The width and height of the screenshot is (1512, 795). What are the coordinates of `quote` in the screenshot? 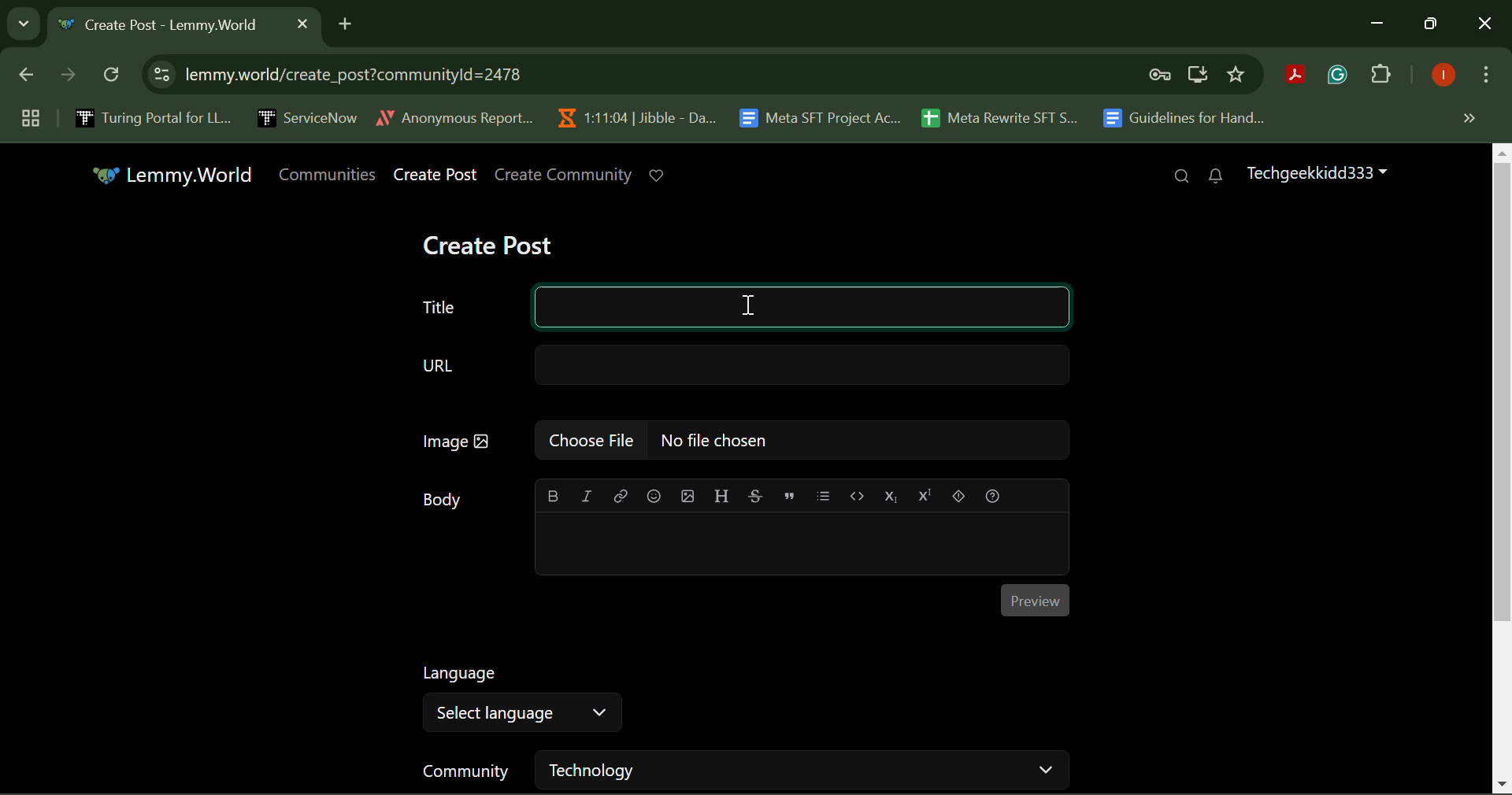 It's located at (790, 495).